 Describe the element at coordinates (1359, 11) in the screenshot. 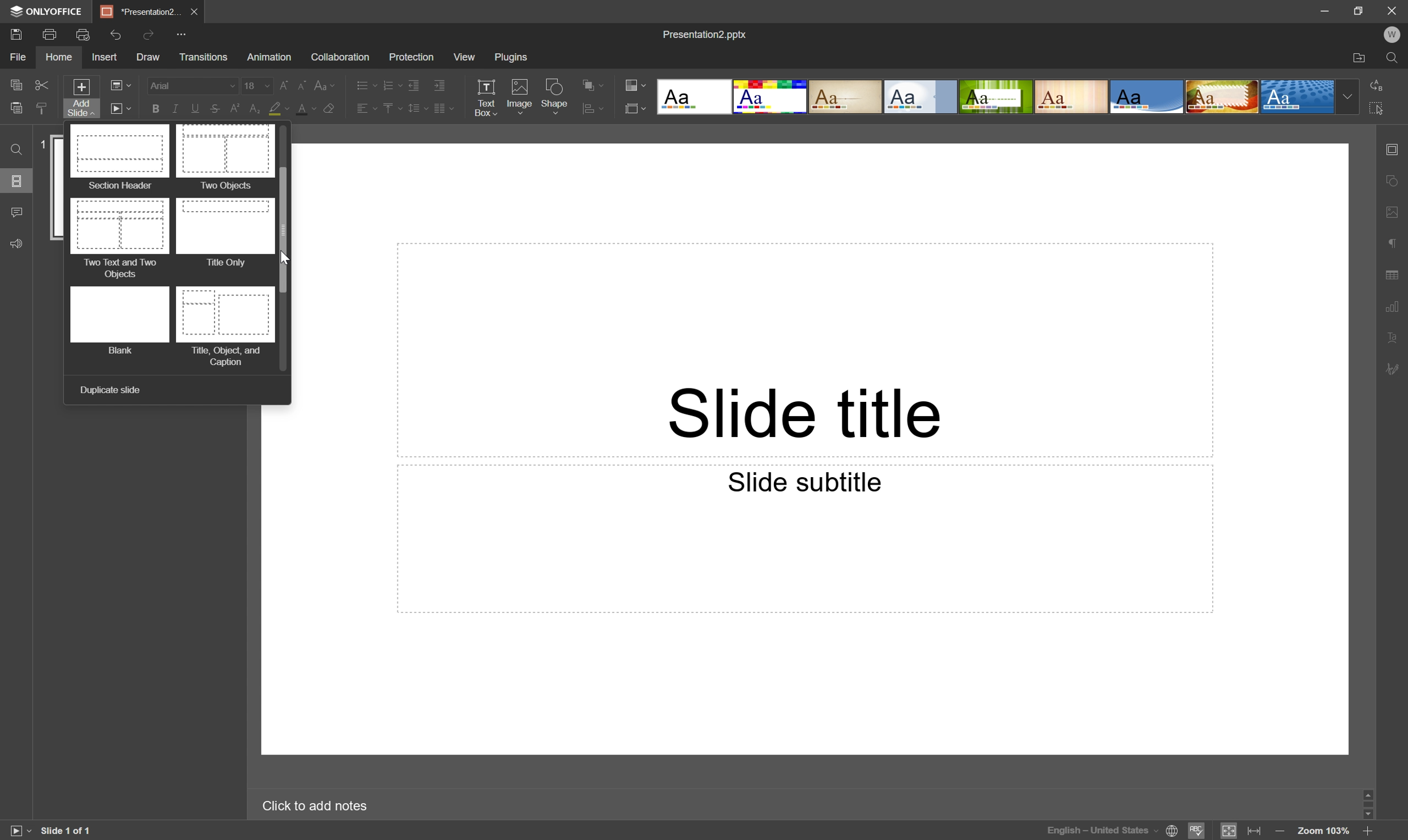

I see `Restore Down` at that location.